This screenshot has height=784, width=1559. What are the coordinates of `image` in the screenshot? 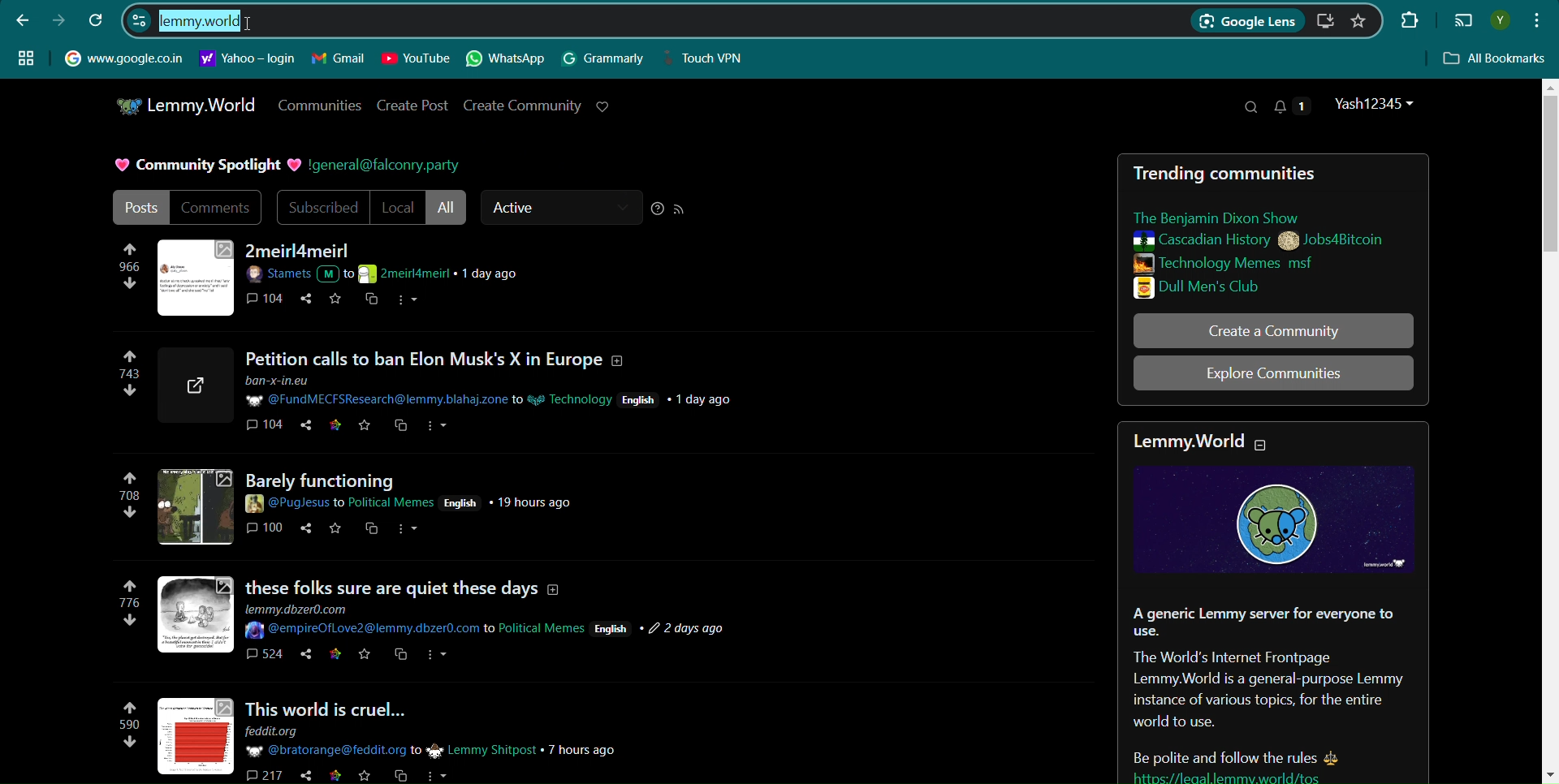 It's located at (198, 739).